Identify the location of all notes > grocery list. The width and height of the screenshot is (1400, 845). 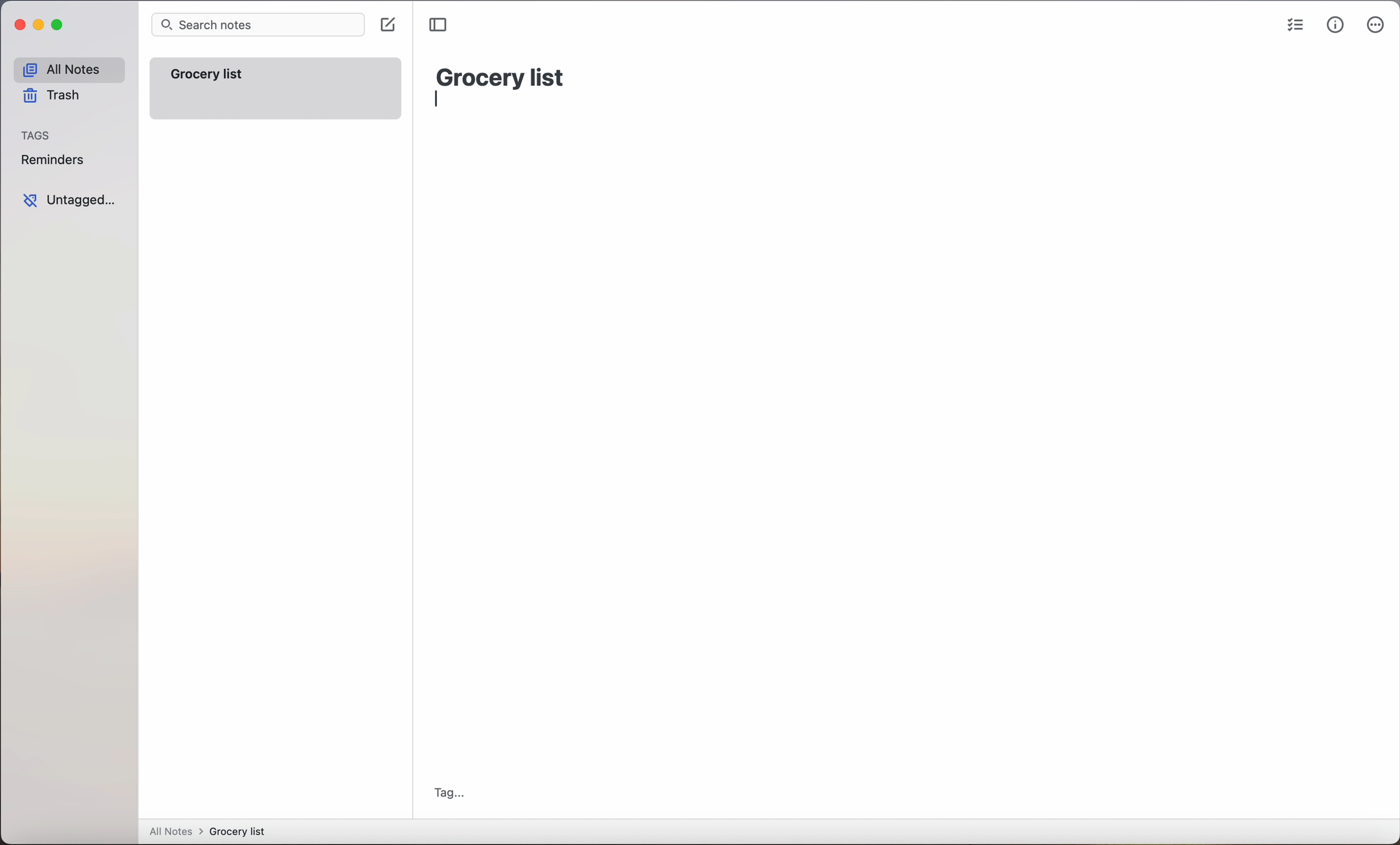
(212, 833).